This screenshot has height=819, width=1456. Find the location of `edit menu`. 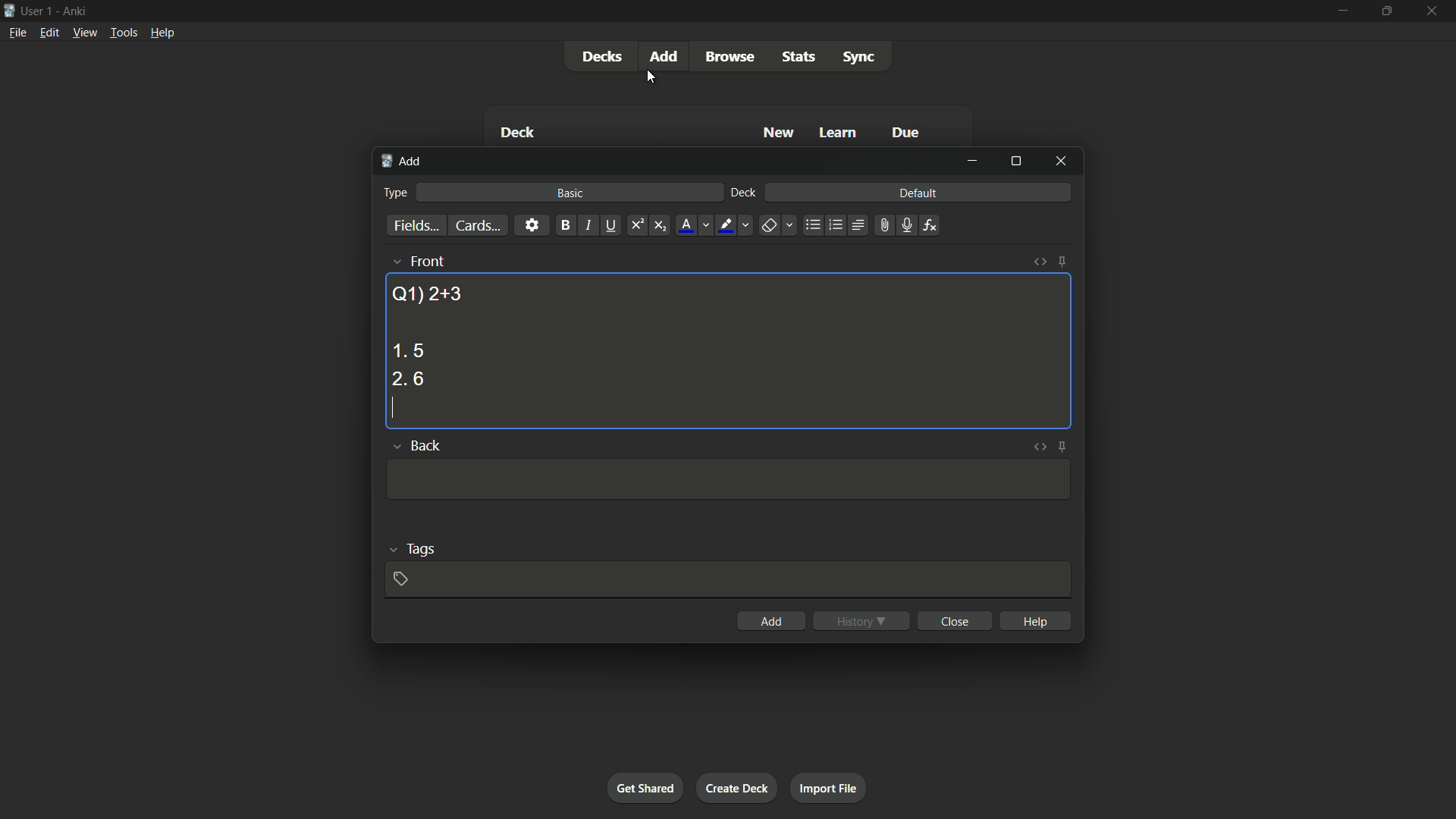

edit menu is located at coordinates (50, 32).